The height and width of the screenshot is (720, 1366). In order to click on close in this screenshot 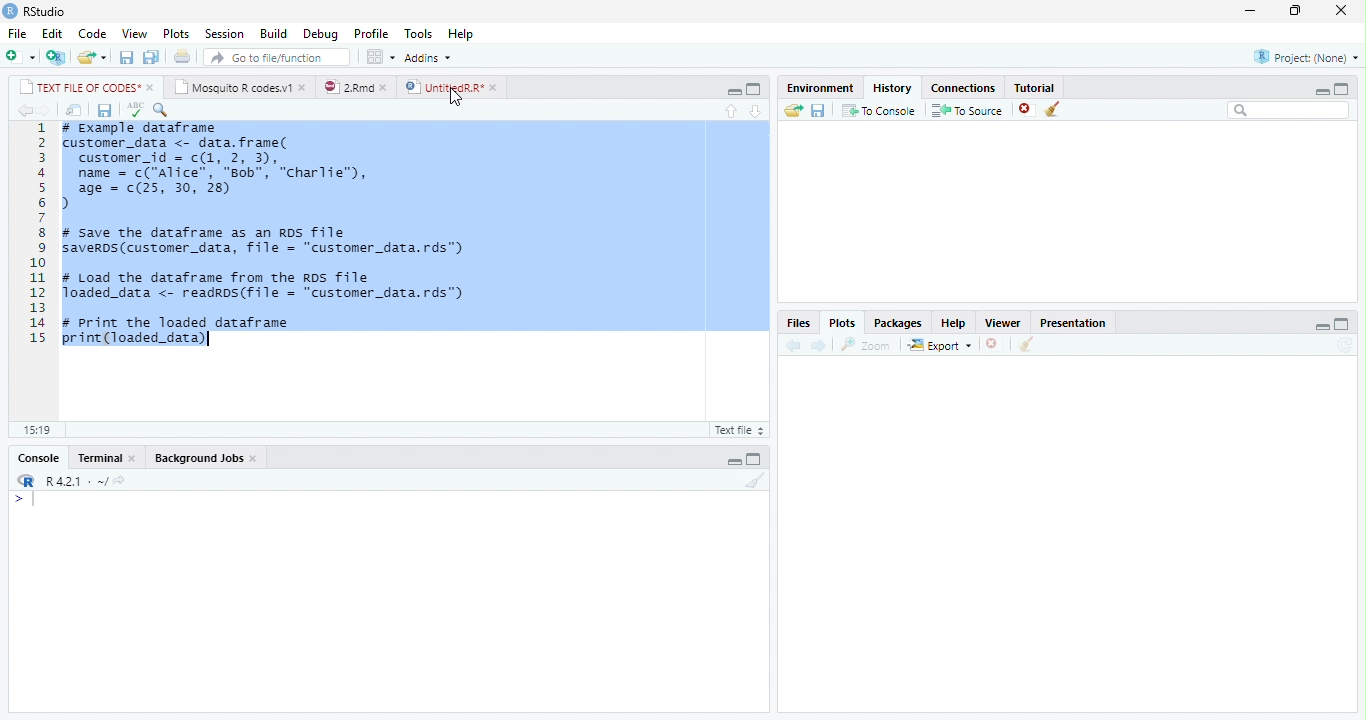, I will do `click(387, 87)`.